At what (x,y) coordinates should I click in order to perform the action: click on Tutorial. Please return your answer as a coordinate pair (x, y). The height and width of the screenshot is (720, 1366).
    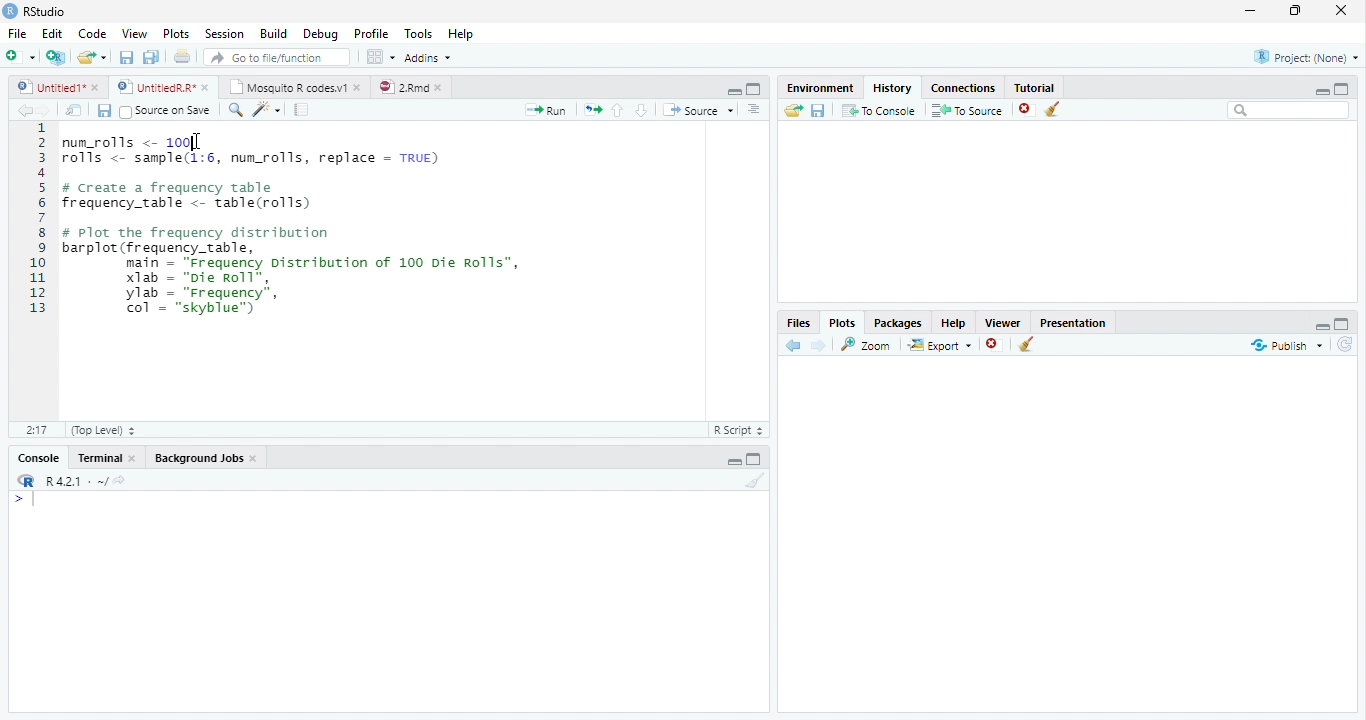
    Looking at the image, I should click on (1034, 86).